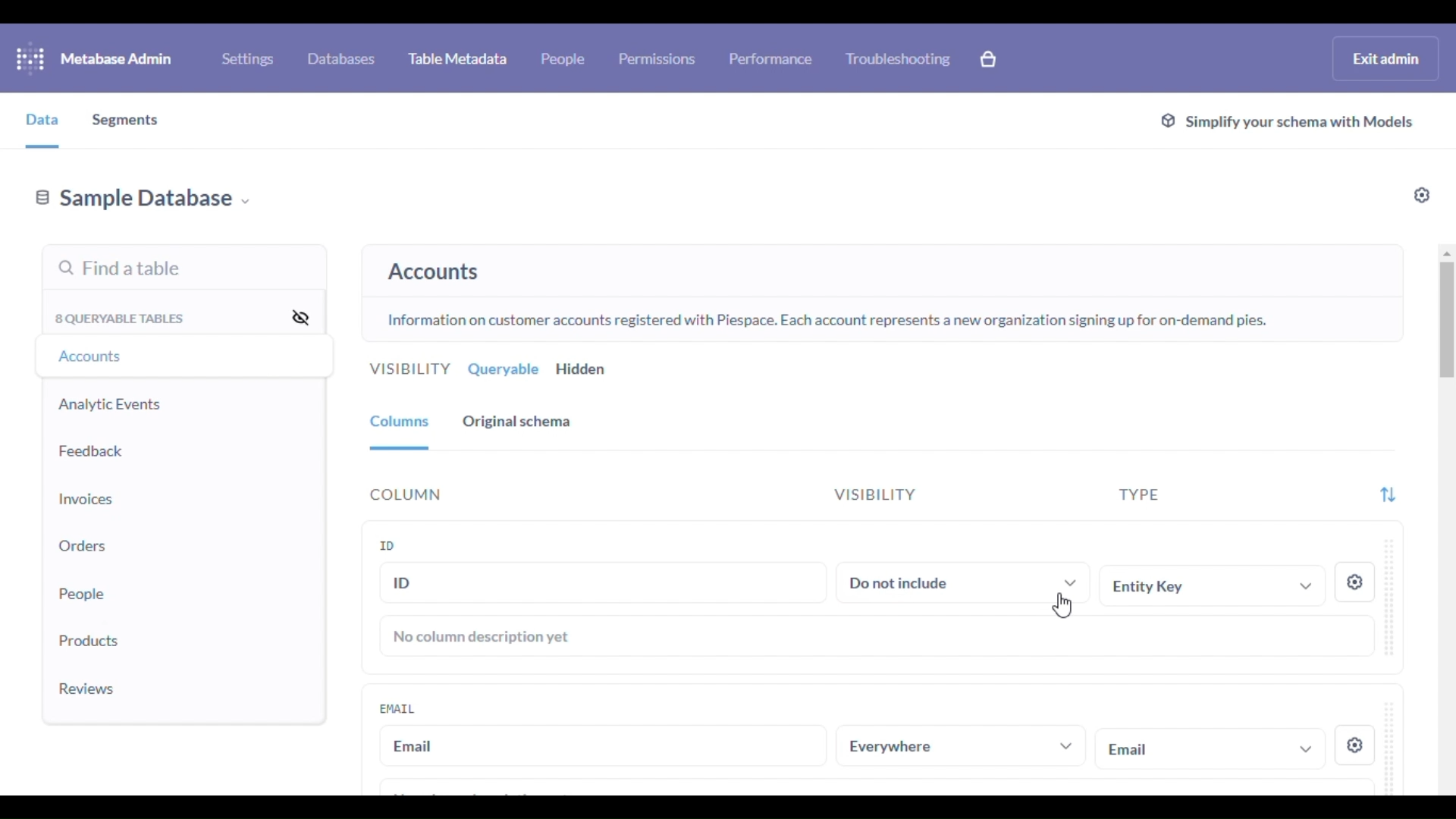  What do you see at coordinates (827, 322) in the screenshot?
I see `Information on customer accounts registered with Piespace. Each account represents a new organization signing up for on-demand pies.` at bounding box center [827, 322].